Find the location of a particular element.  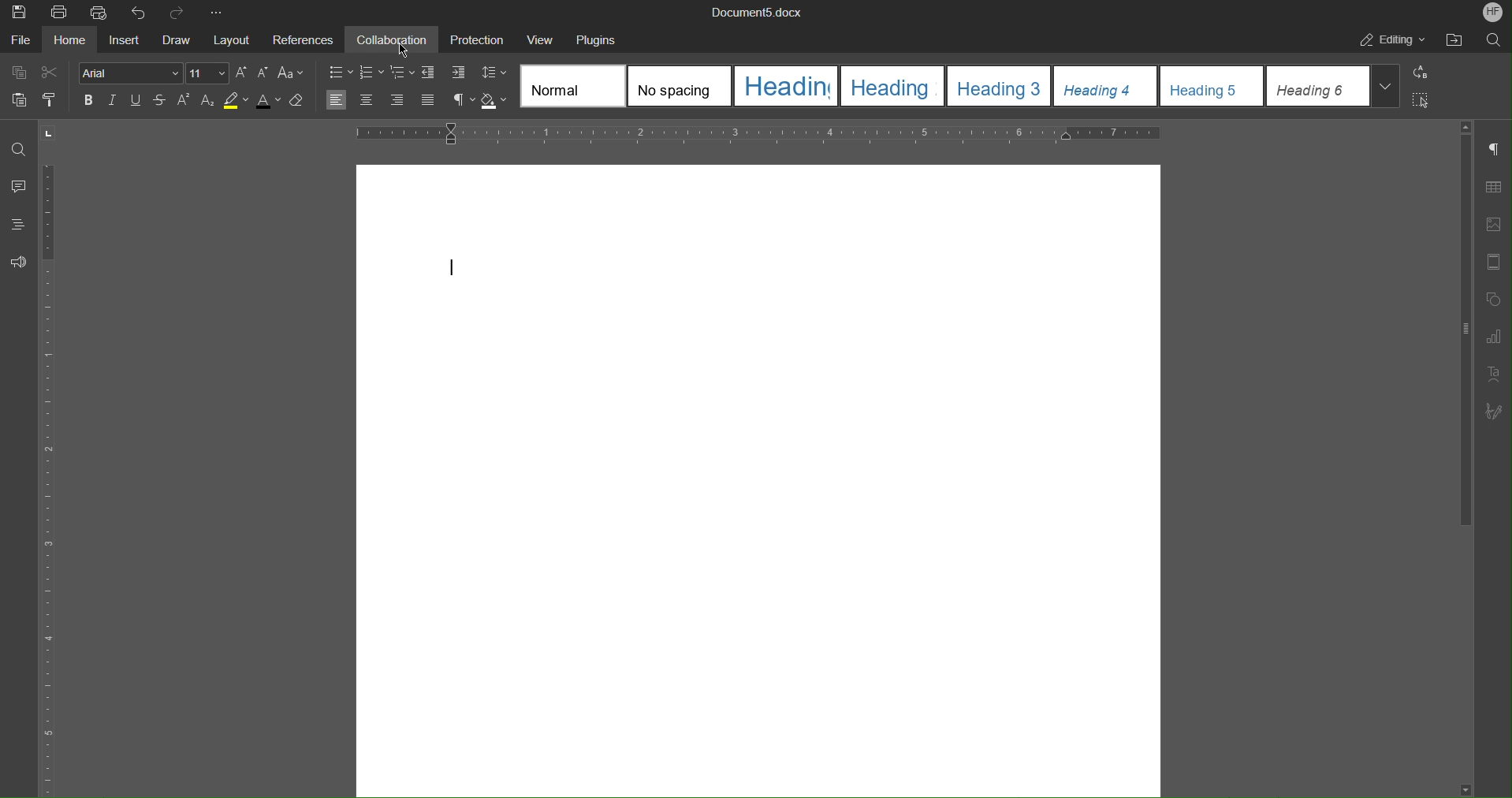

Print is located at coordinates (63, 13).